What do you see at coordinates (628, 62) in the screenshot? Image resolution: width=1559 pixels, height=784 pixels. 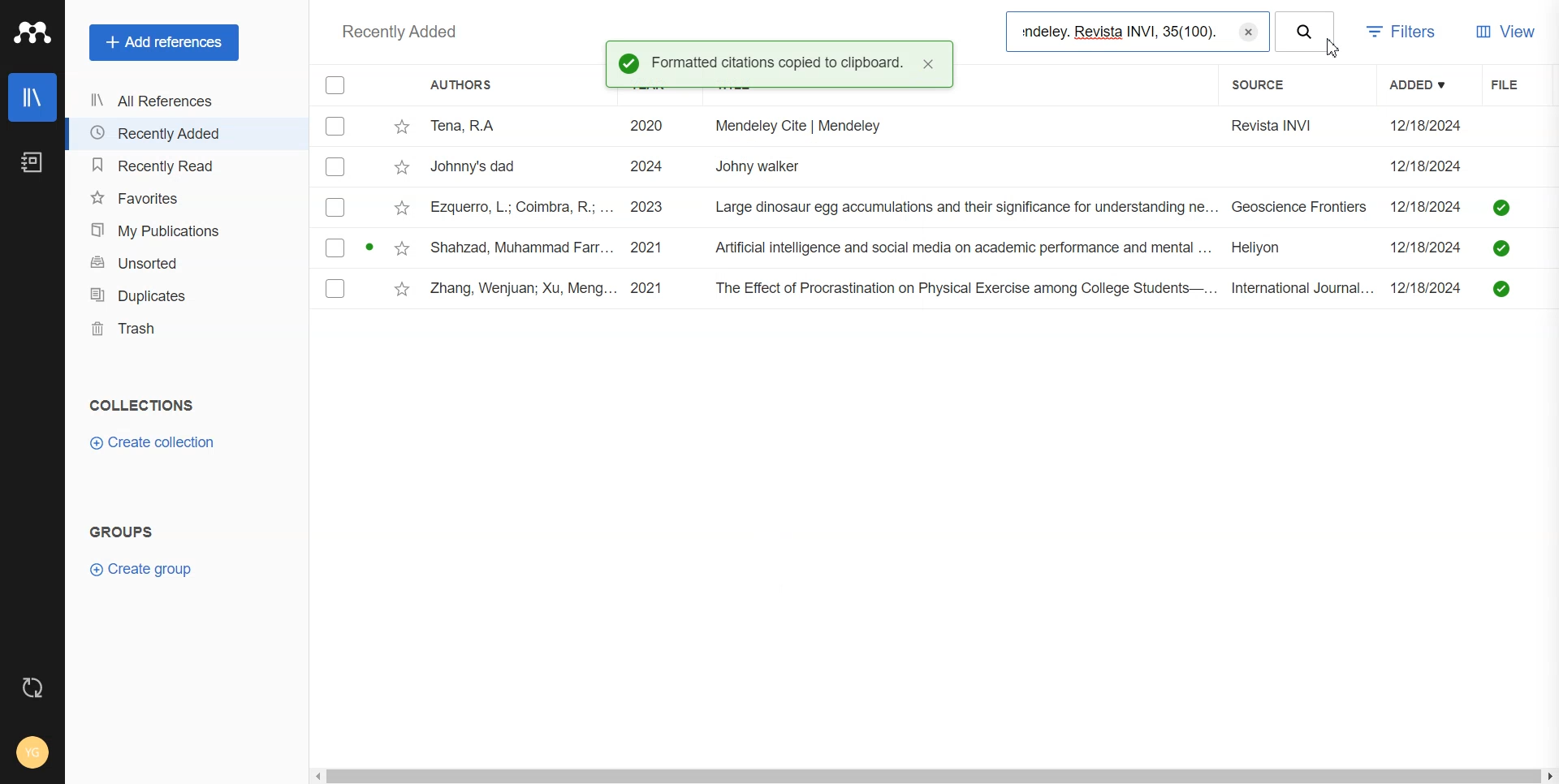 I see `Success ` at bounding box center [628, 62].